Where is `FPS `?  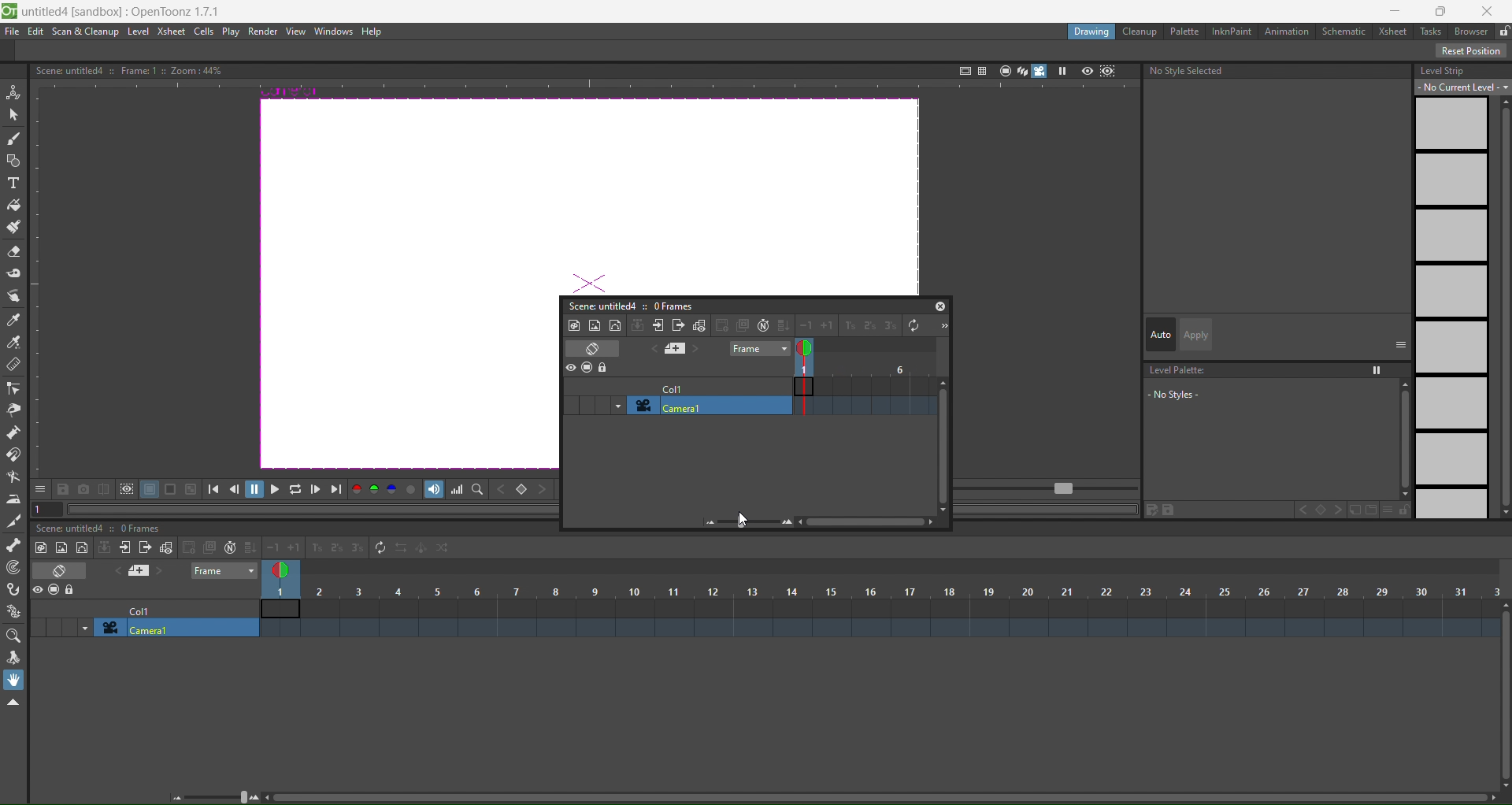
FPS  is located at coordinates (1048, 489).